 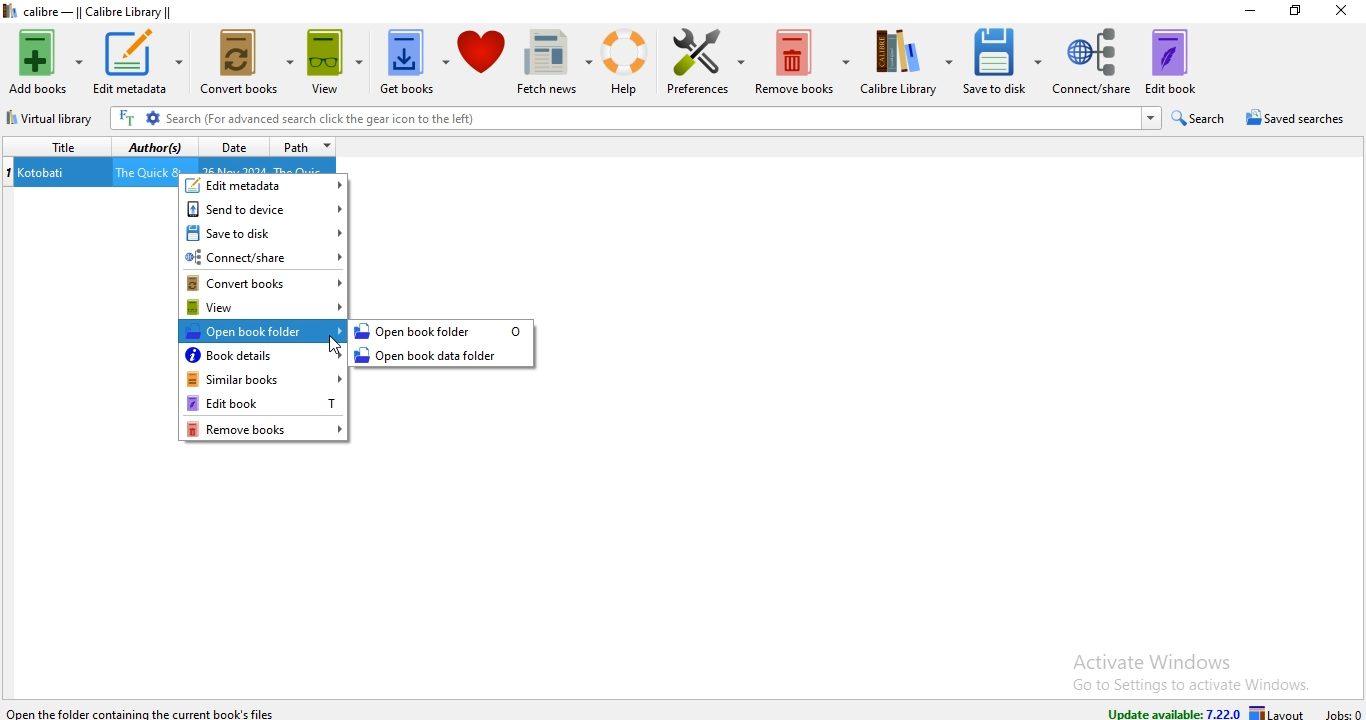 What do you see at coordinates (45, 173) in the screenshot?
I see `Kotobati` at bounding box center [45, 173].